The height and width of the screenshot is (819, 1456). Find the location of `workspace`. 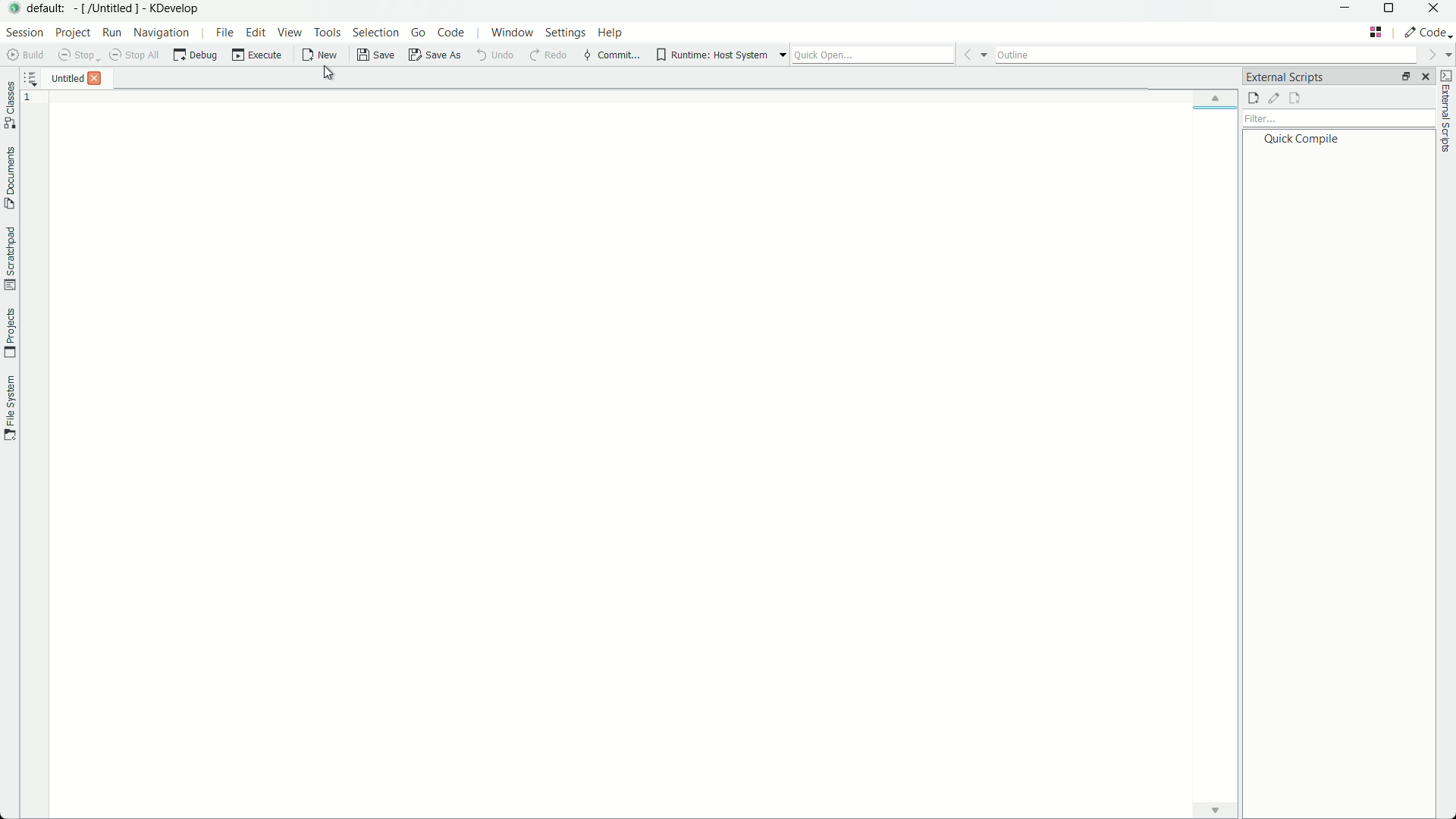

workspace is located at coordinates (779, 454).